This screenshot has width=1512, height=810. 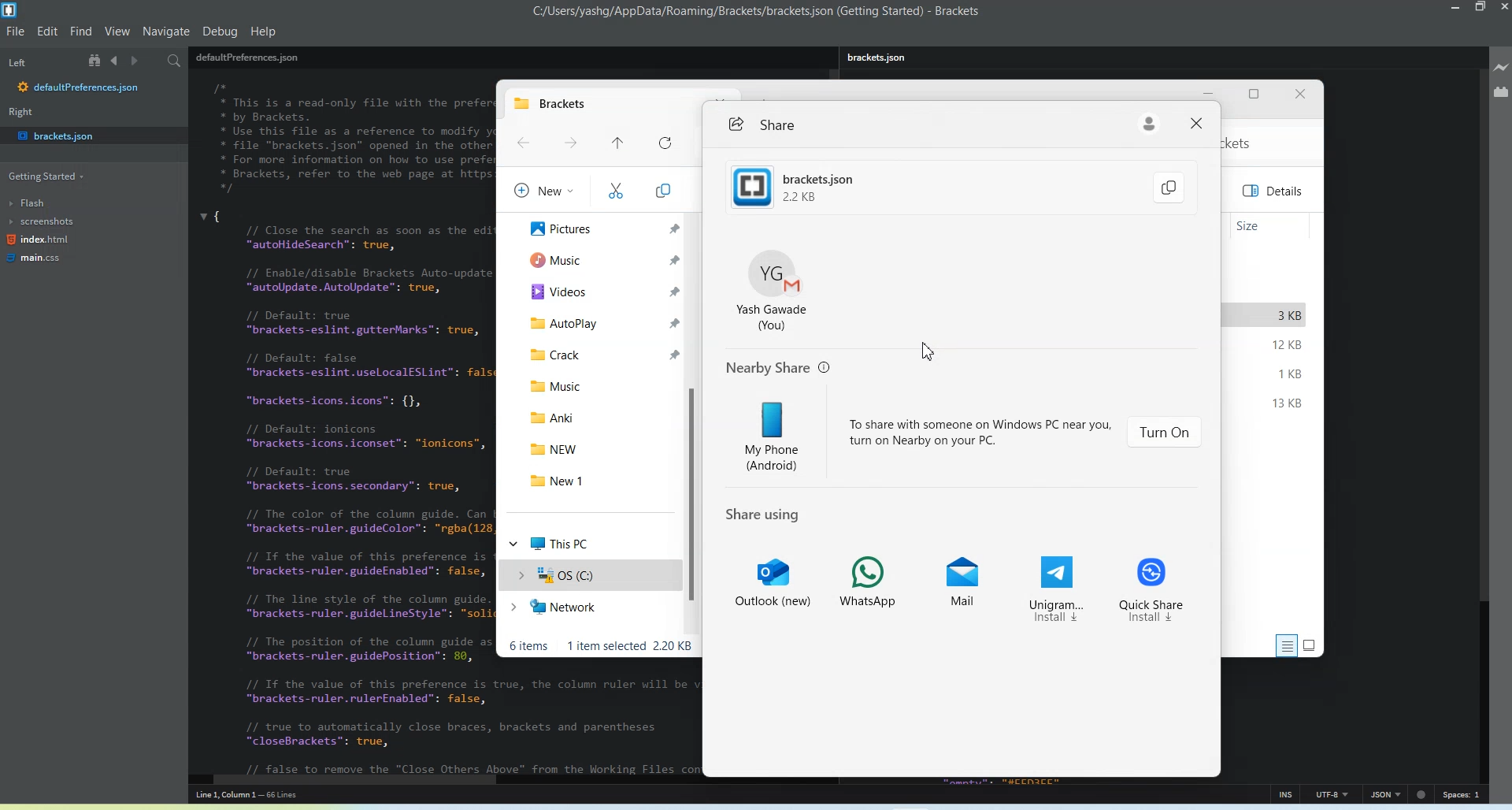 What do you see at coordinates (599, 290) in the screenshot?
I see `Videos` at bounding box center [599, 290].